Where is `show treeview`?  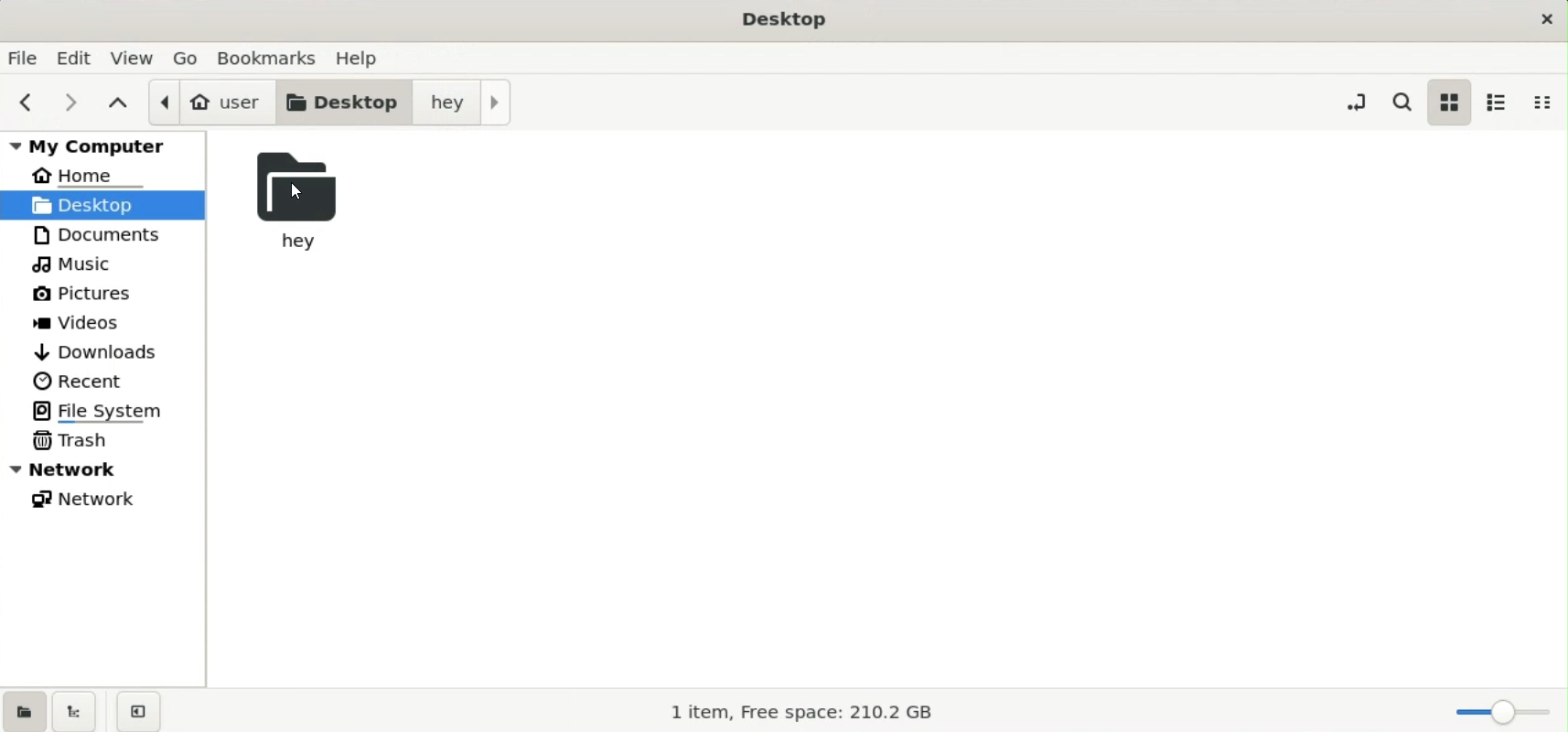
show treeview is located at coordinates (74, 711).